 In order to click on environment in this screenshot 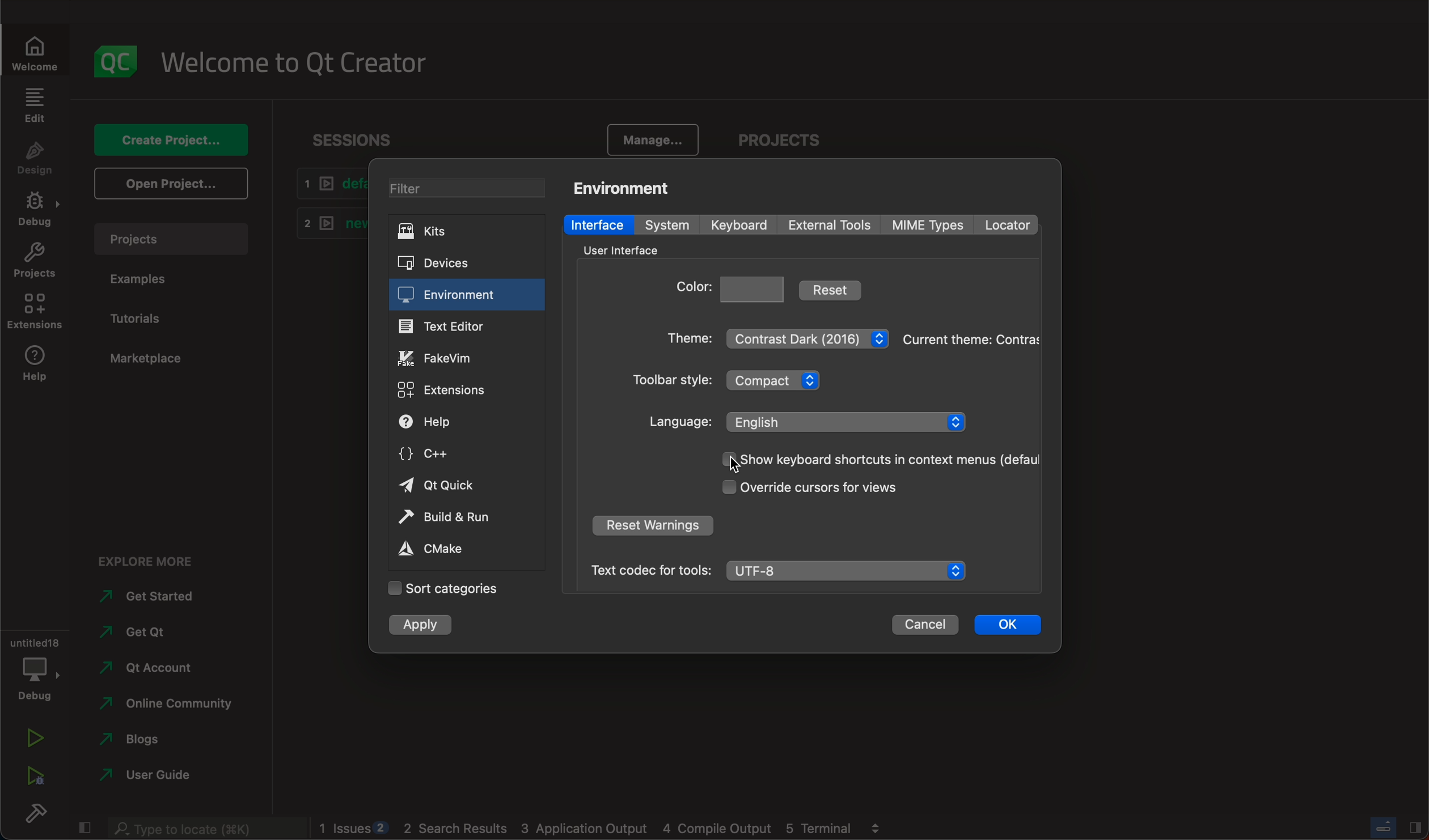, I will do `click(627, 186)`.